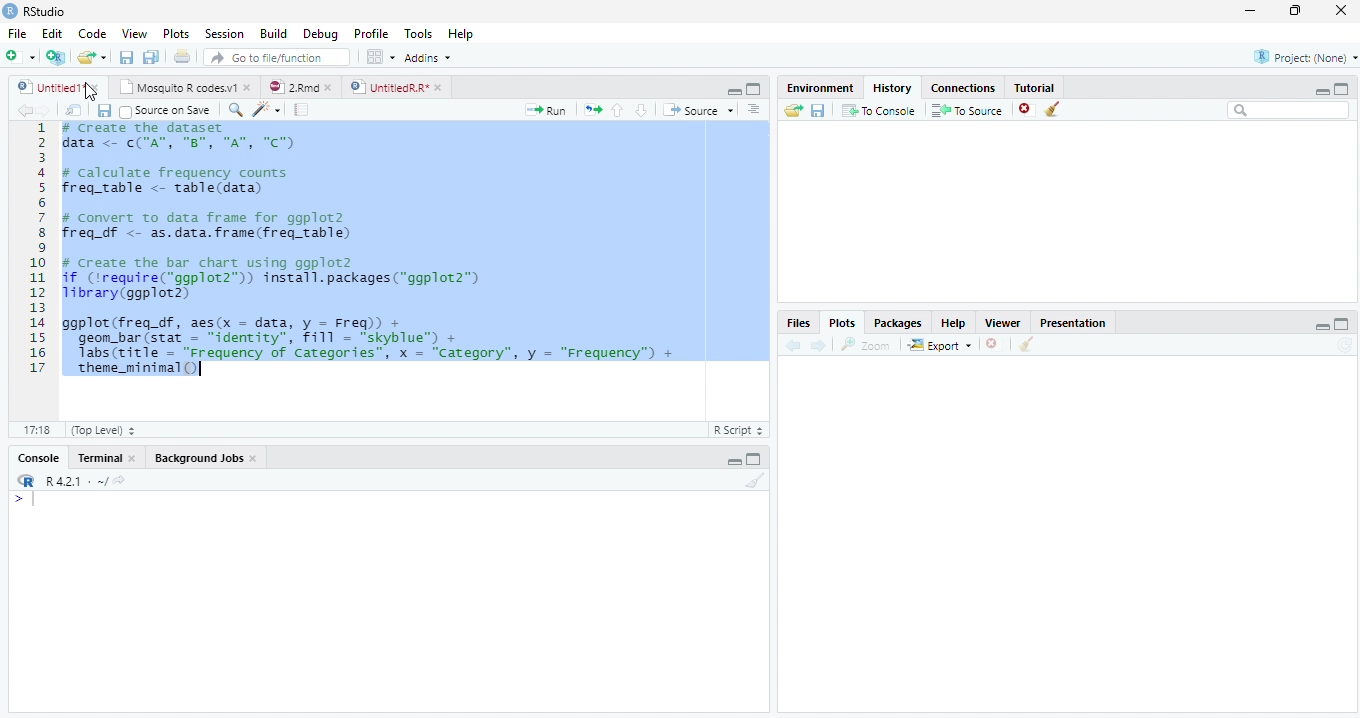 This screenshot has width=1360, height=718. Describe the element at coordinates (801, 323) in the screenshot. I see `Files` at that location.